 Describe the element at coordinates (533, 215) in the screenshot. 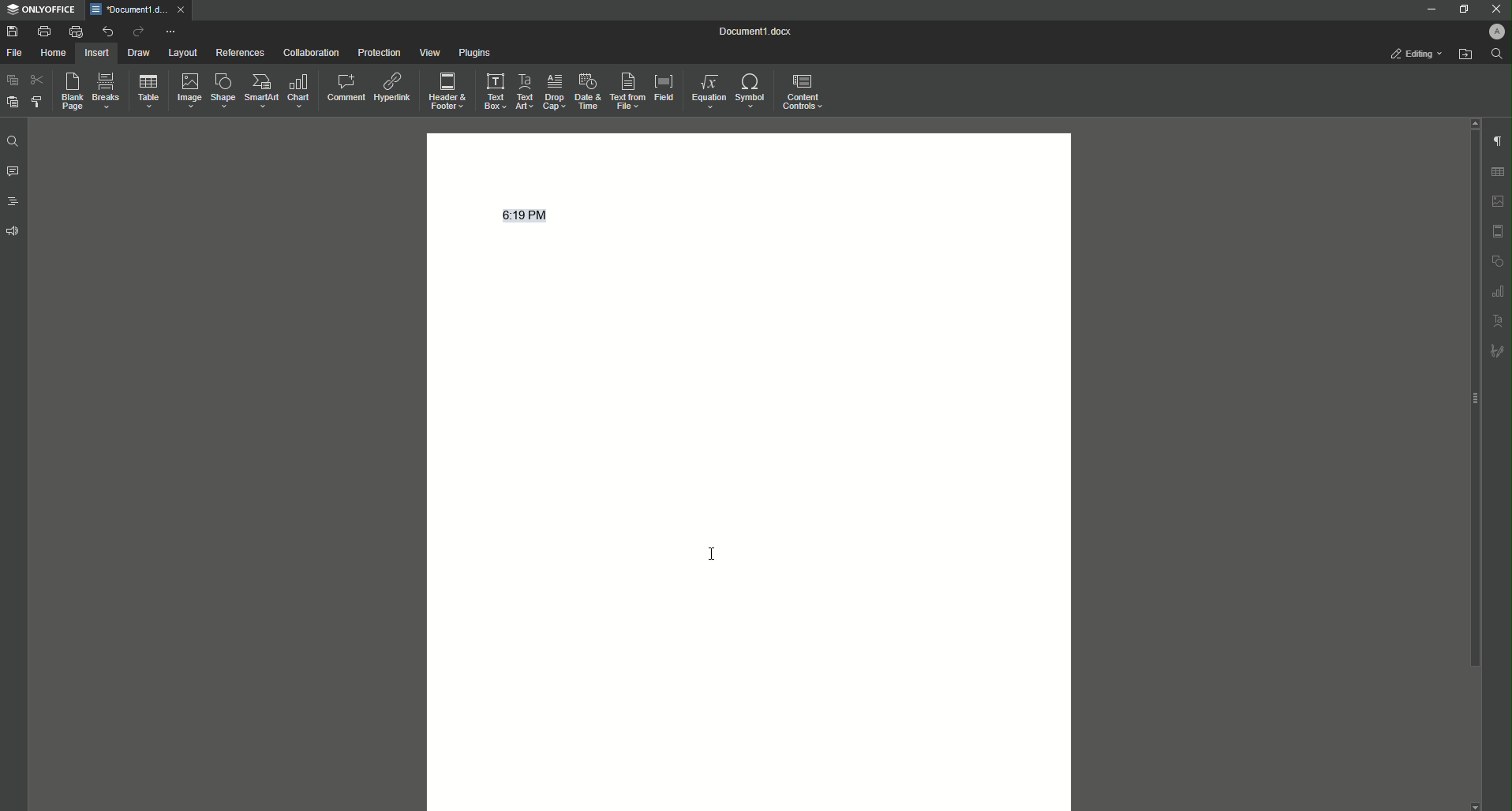

I see `6:19 PM` at that location.